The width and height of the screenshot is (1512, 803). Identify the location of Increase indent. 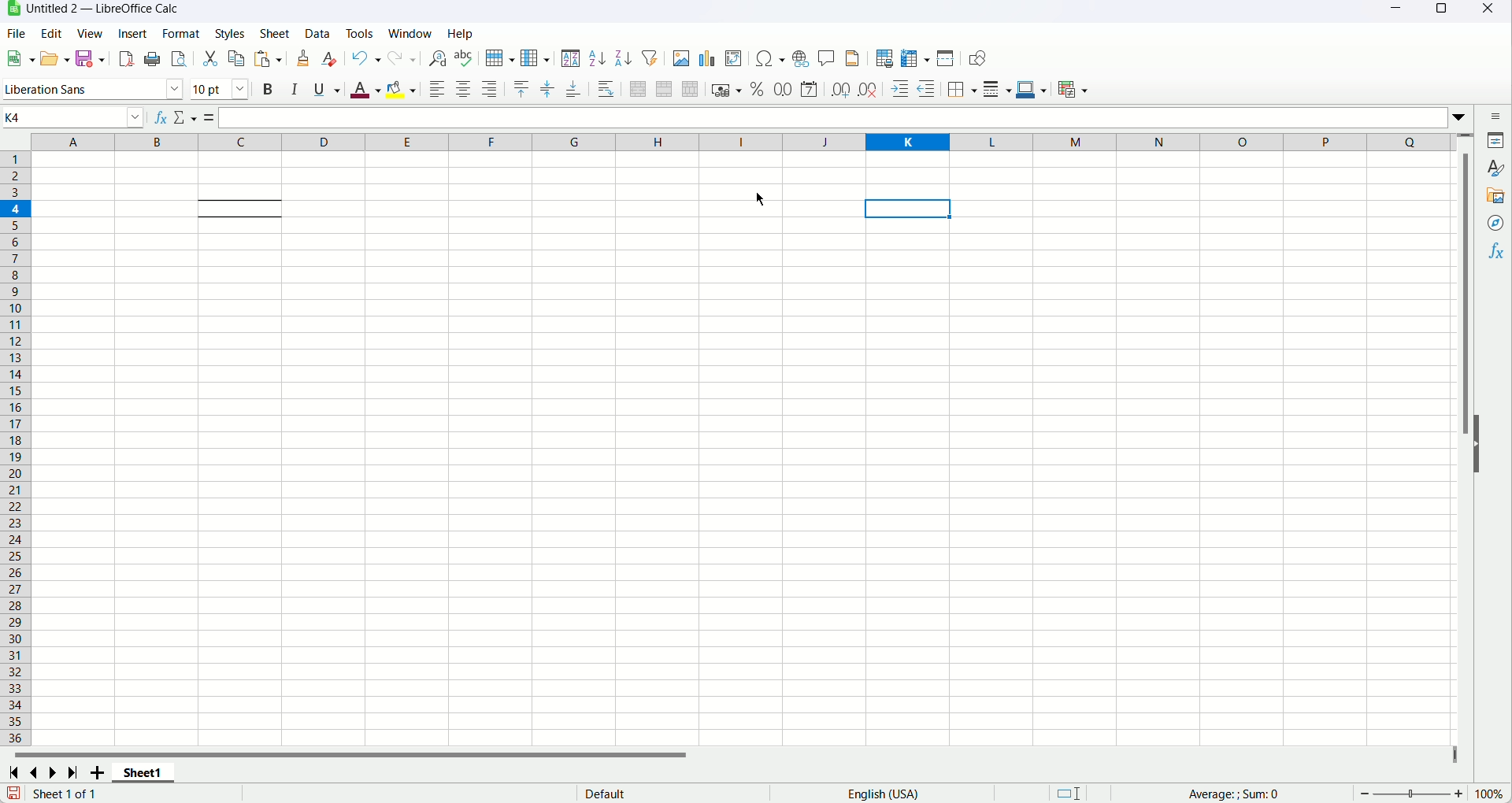
(899, 90).